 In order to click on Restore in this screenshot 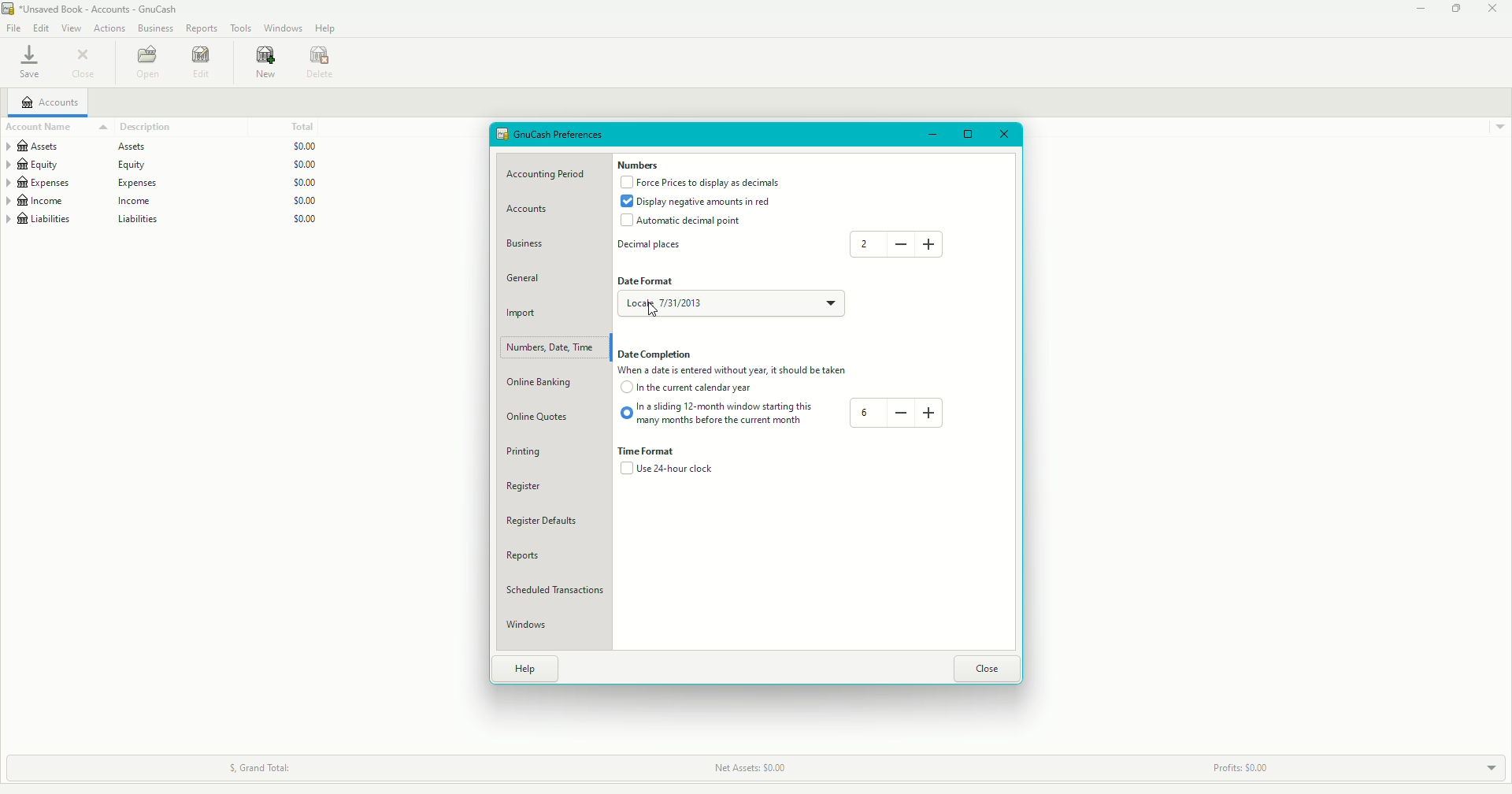, I will do `click(968, 132)`.